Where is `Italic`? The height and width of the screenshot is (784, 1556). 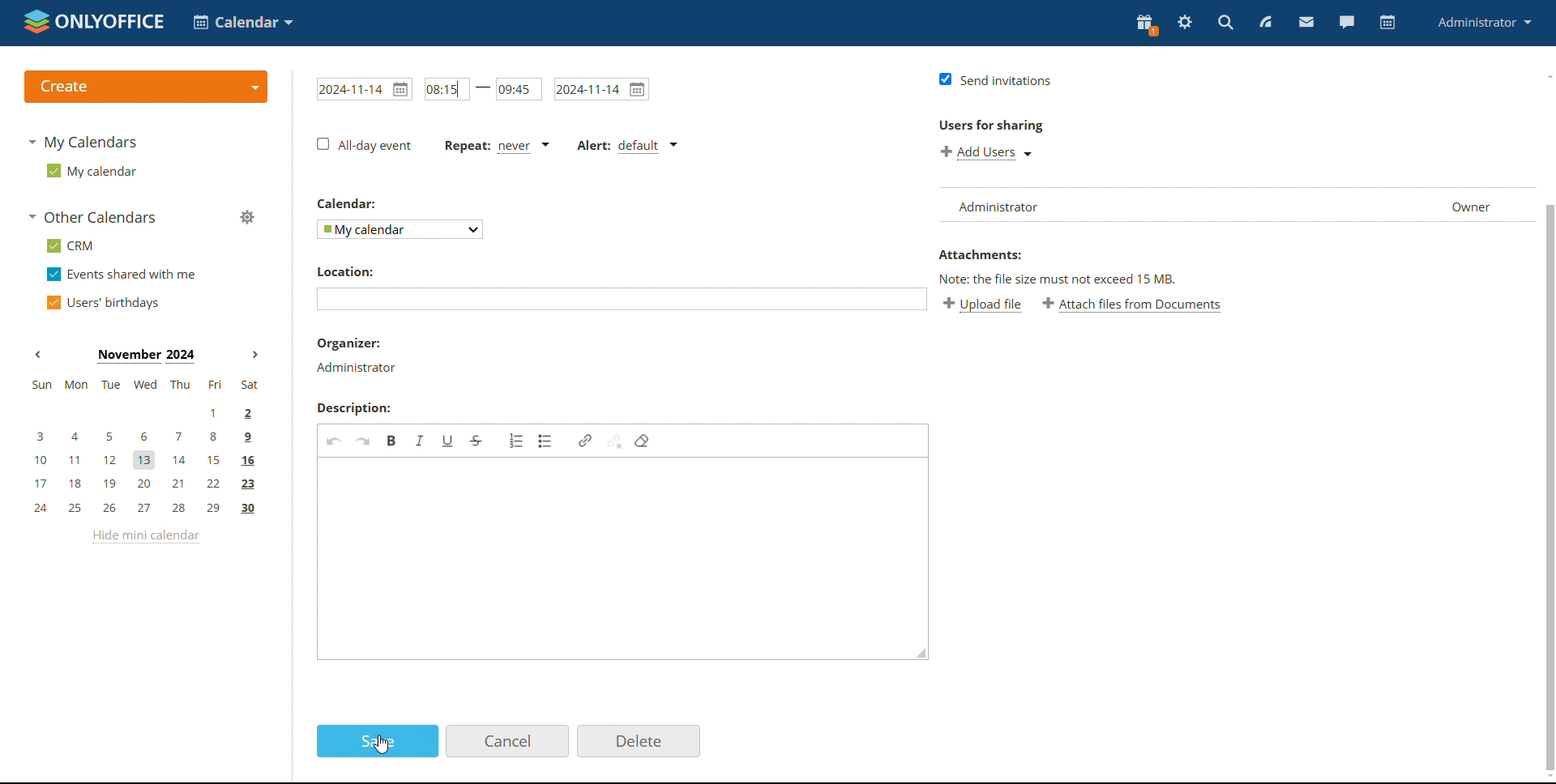 Italic is located at coordinates (421, 440).